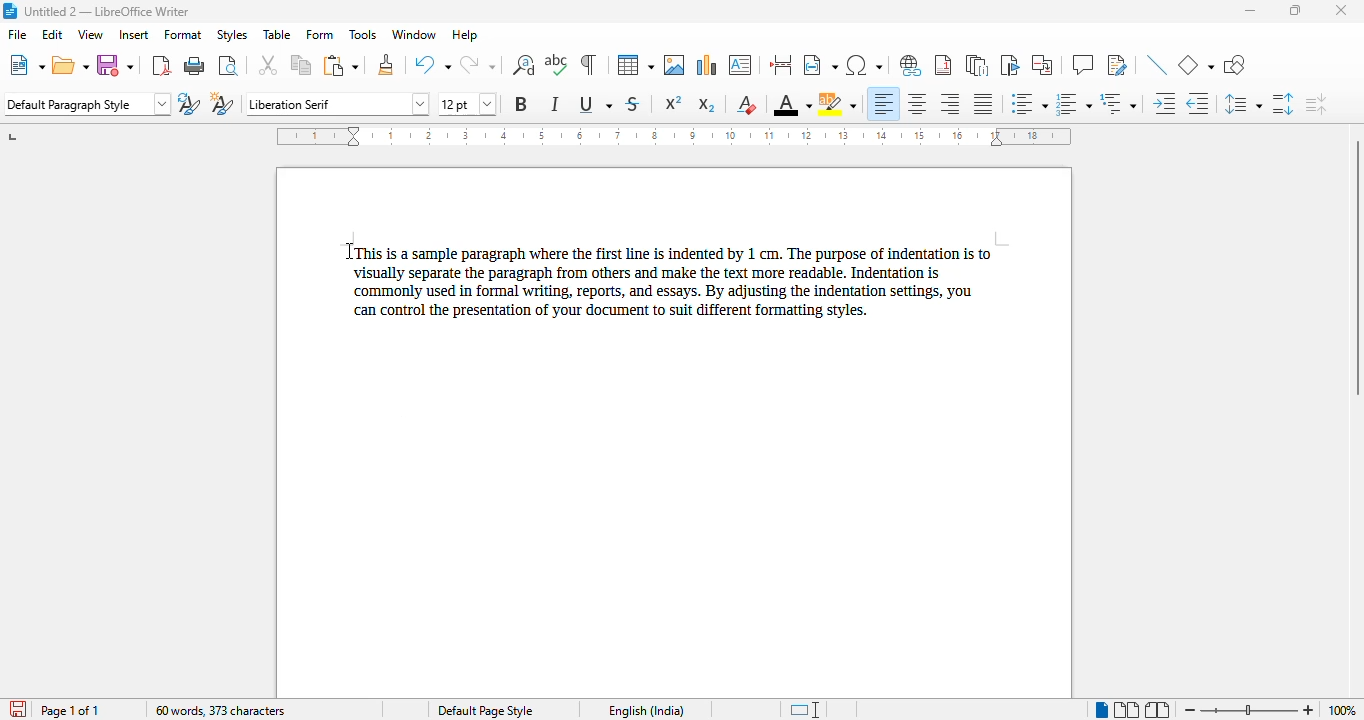 This screenshot has height=720, width=1364. Describe the element at coordinates (432, 64) in the screenshot. I see `undo` at that location.